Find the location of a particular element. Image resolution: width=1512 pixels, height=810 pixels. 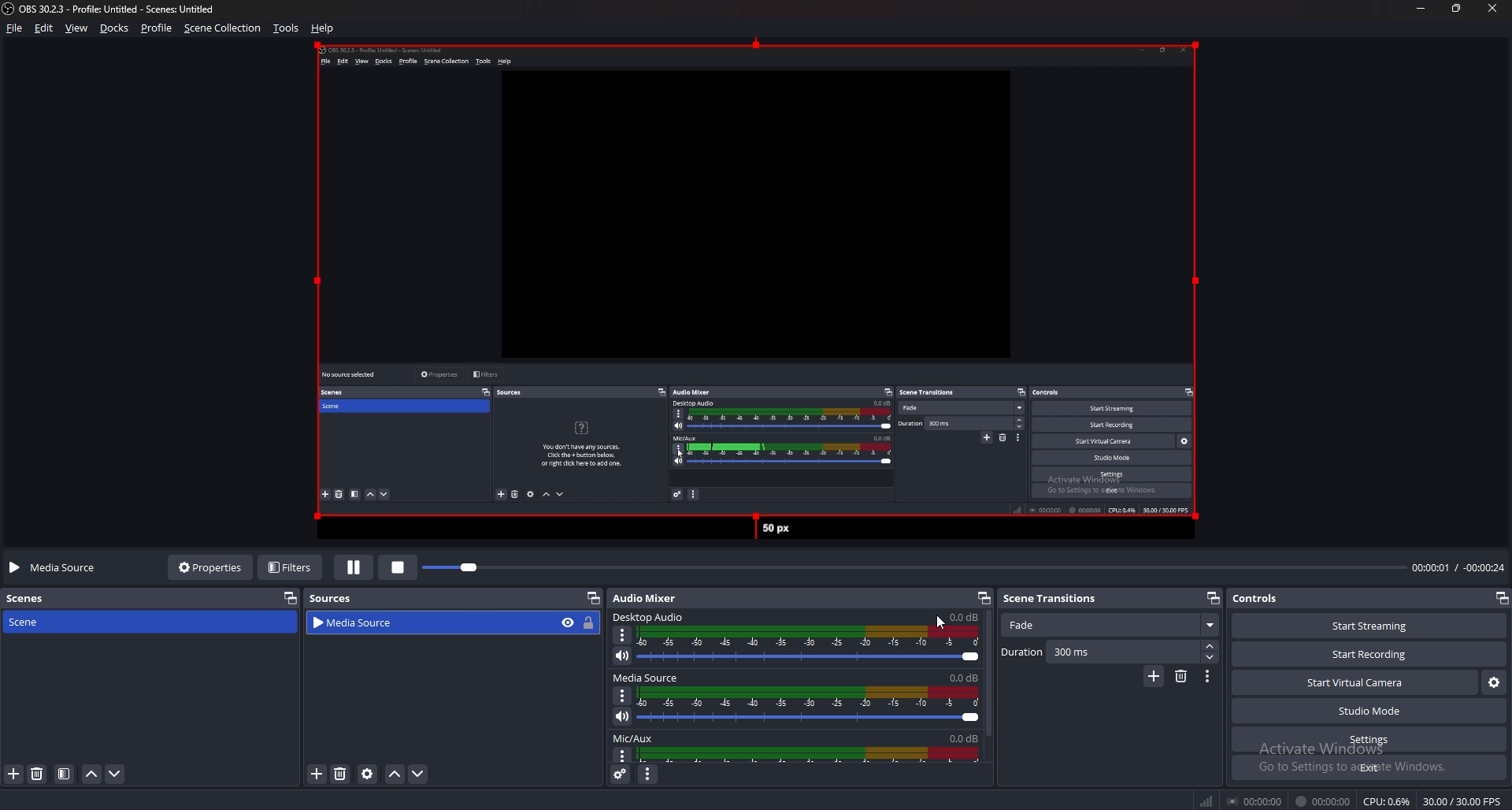

00:00:00 is located at coordinates (1257, 801).